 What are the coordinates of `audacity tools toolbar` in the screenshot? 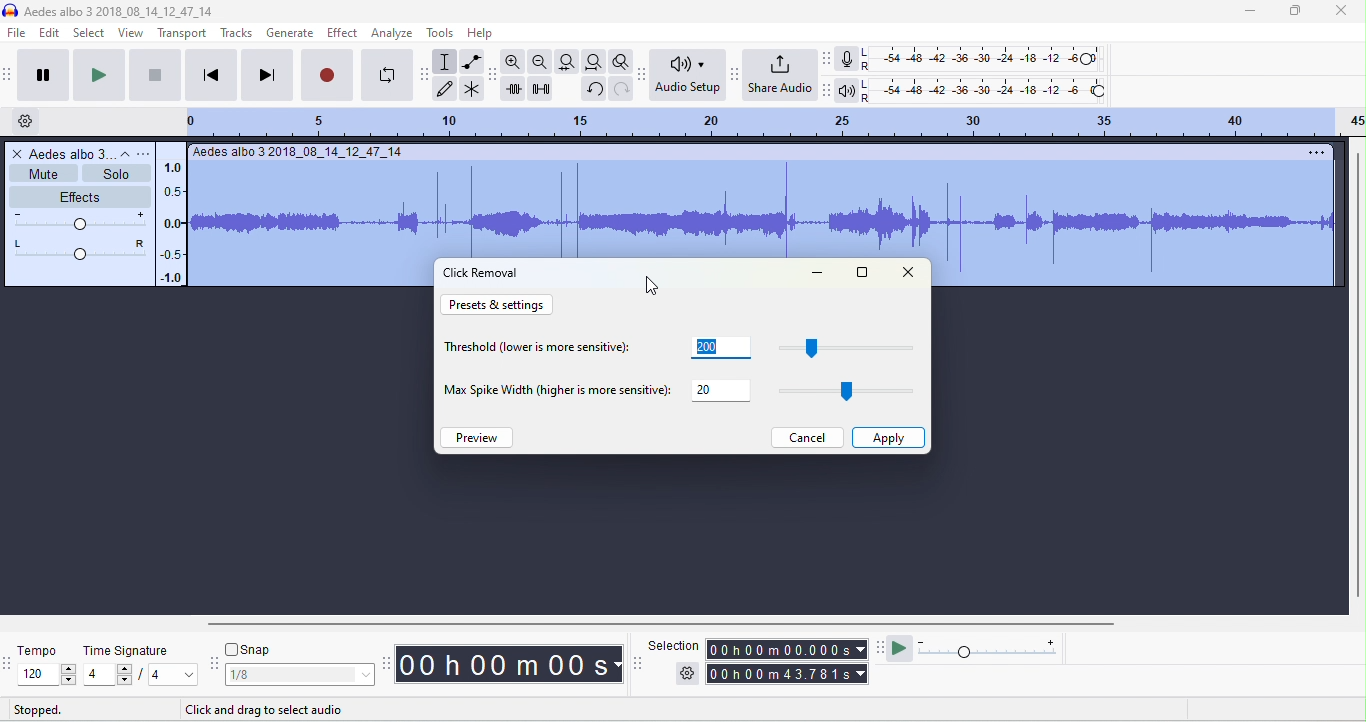 It's located at (427, 74).